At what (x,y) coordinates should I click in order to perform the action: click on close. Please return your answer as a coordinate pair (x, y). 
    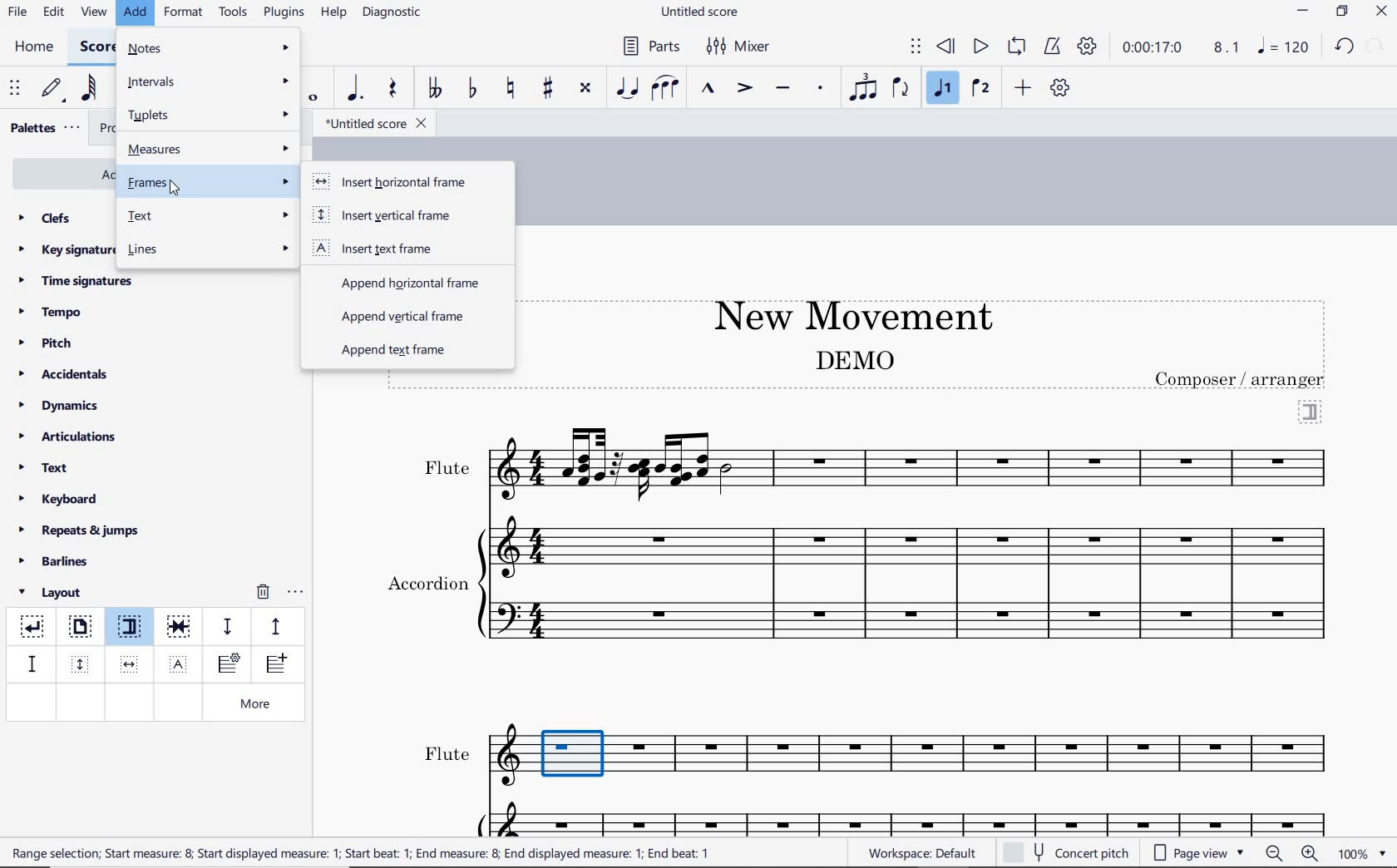
    Looking at the image, I should click on (1381, 13).